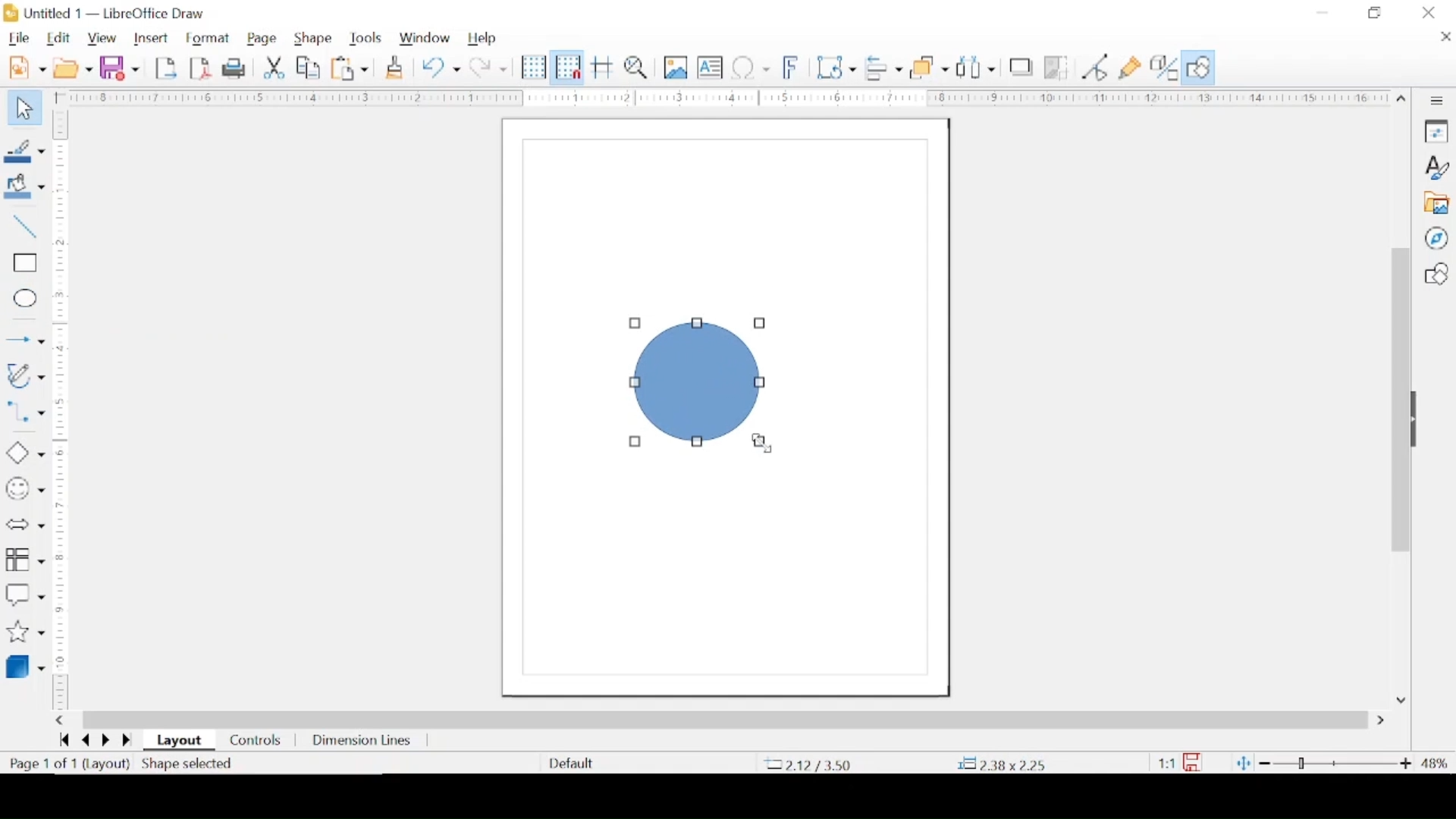 This screenshot has width=1456, height=819. Describe the element at coordinates (760, 382) in the screenshot. I see `resize handle` at that location.